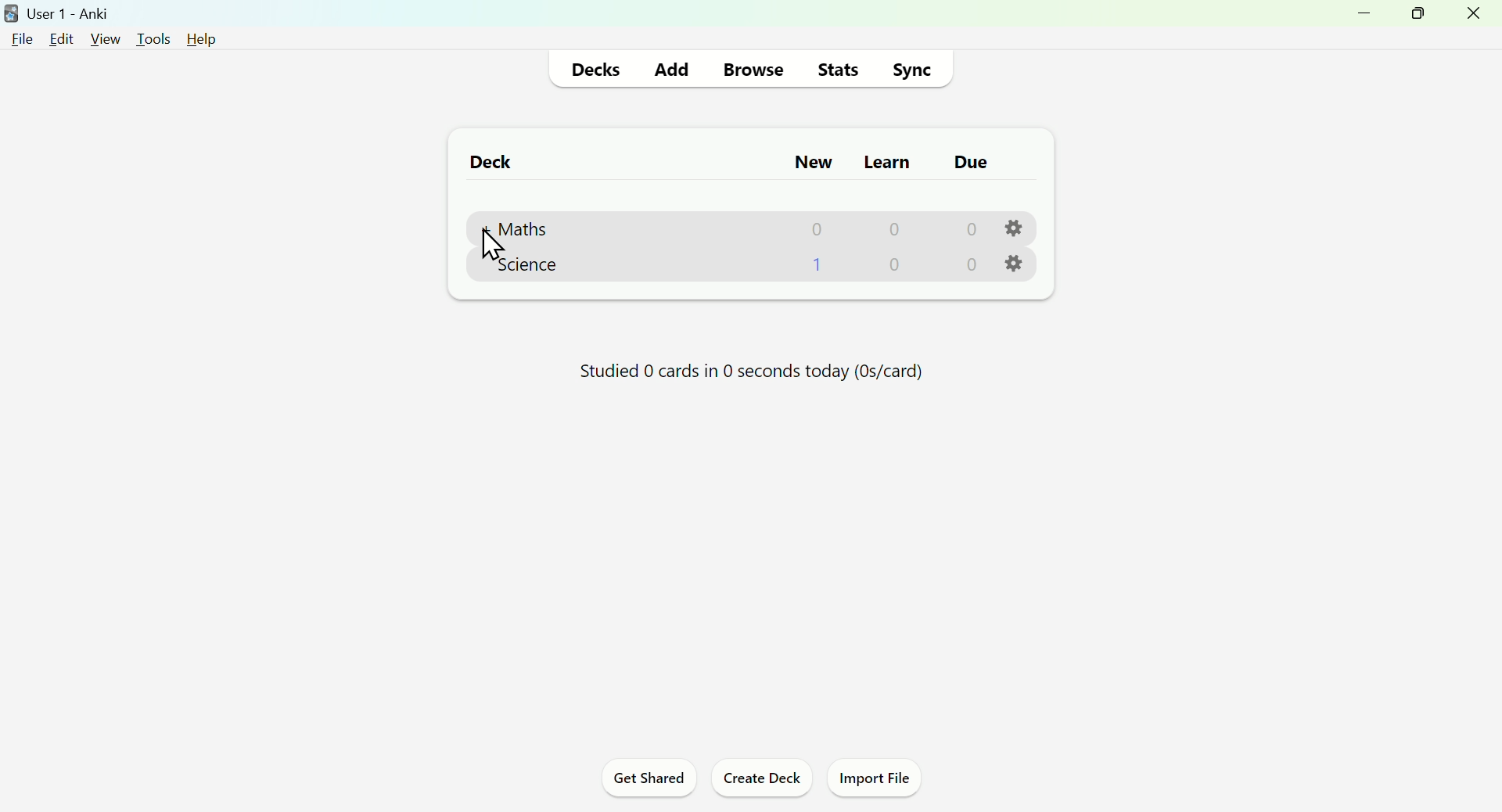 The width and height of the screenshot is (1502, 812). I want to click on , so click(1418, 16).